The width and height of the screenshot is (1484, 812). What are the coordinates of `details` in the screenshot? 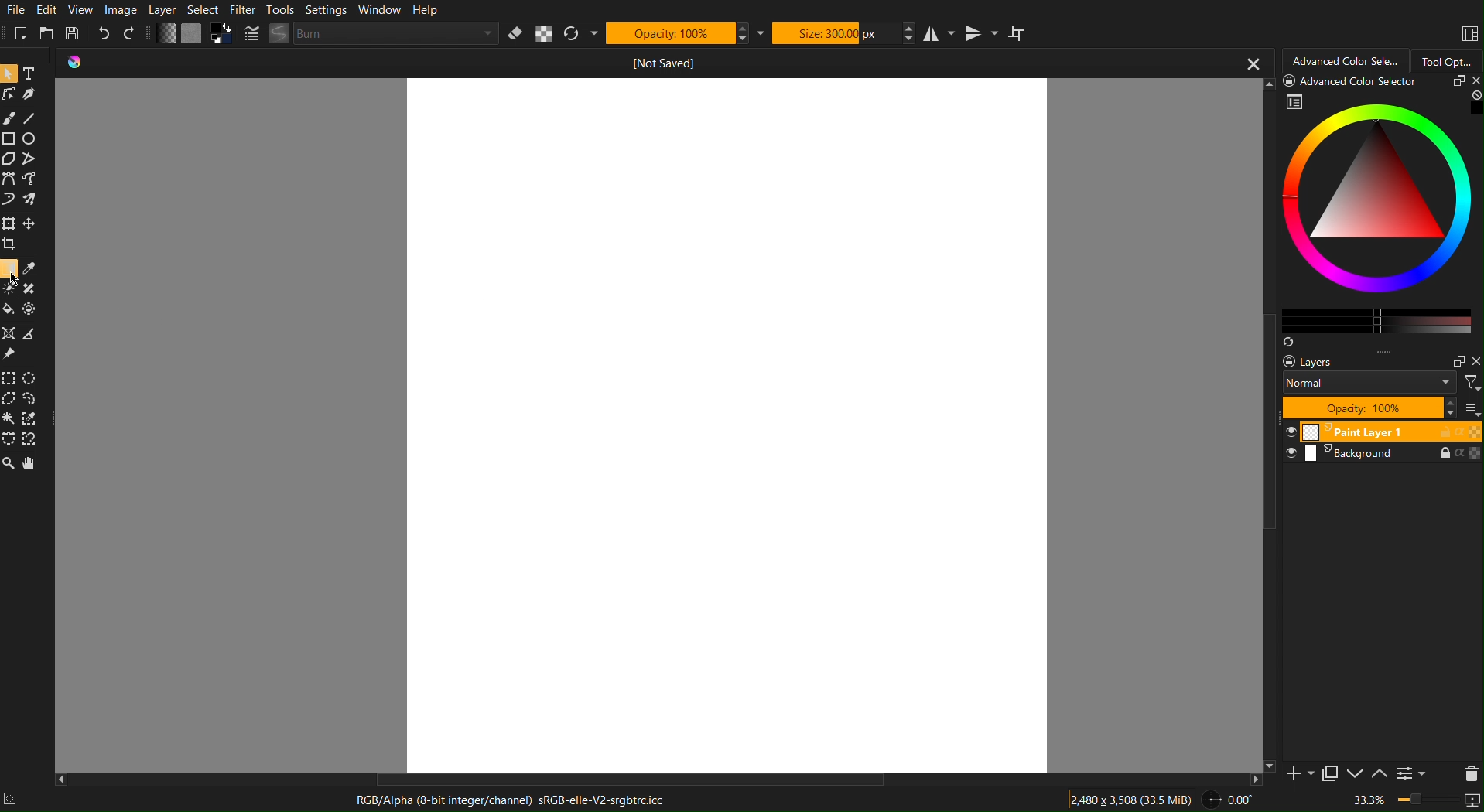 It's located at (15, 798).